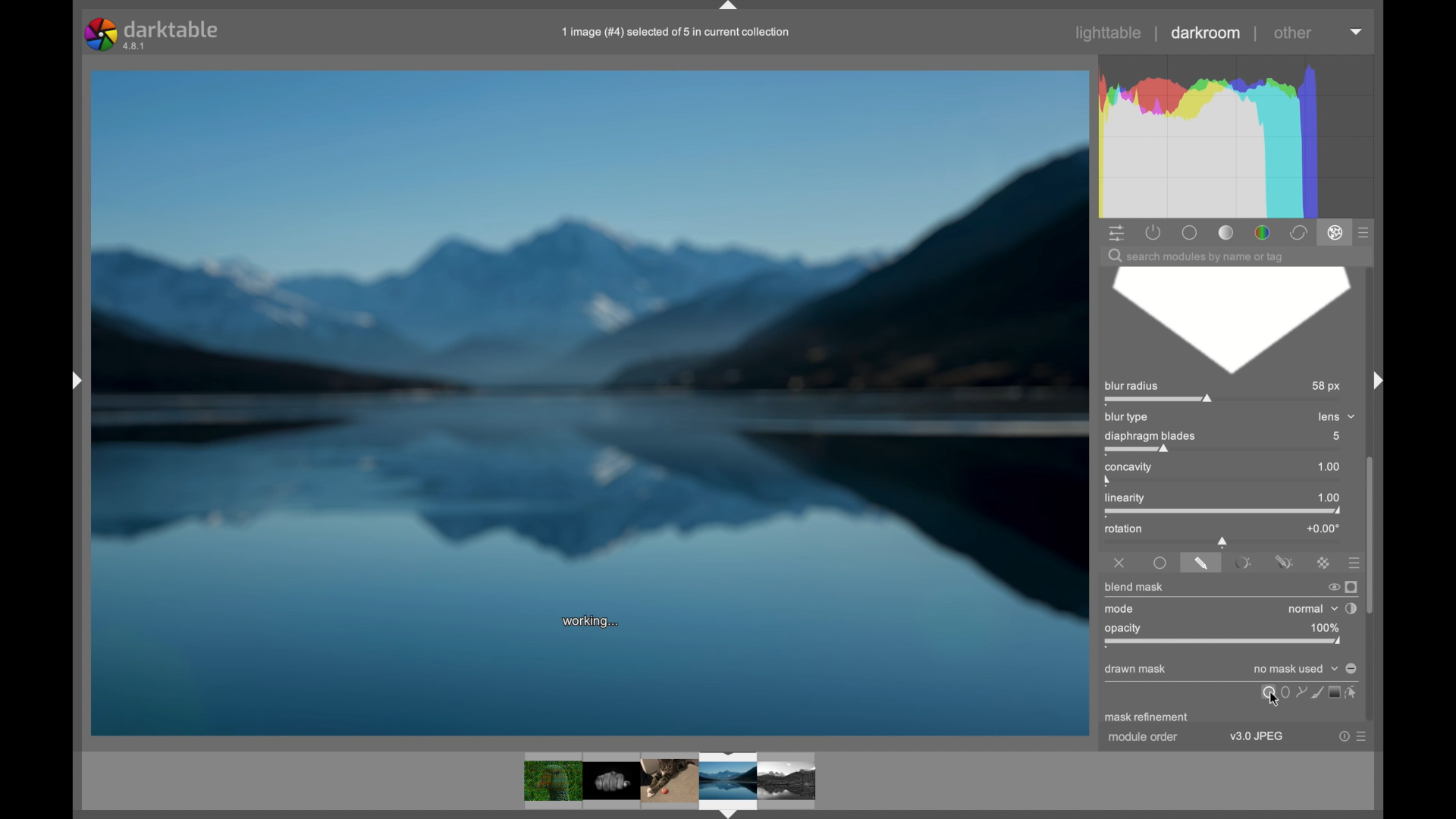 The width and height of the screenshot is (1456, 819). I want to click on toggle blending order, so click(1352, 608).